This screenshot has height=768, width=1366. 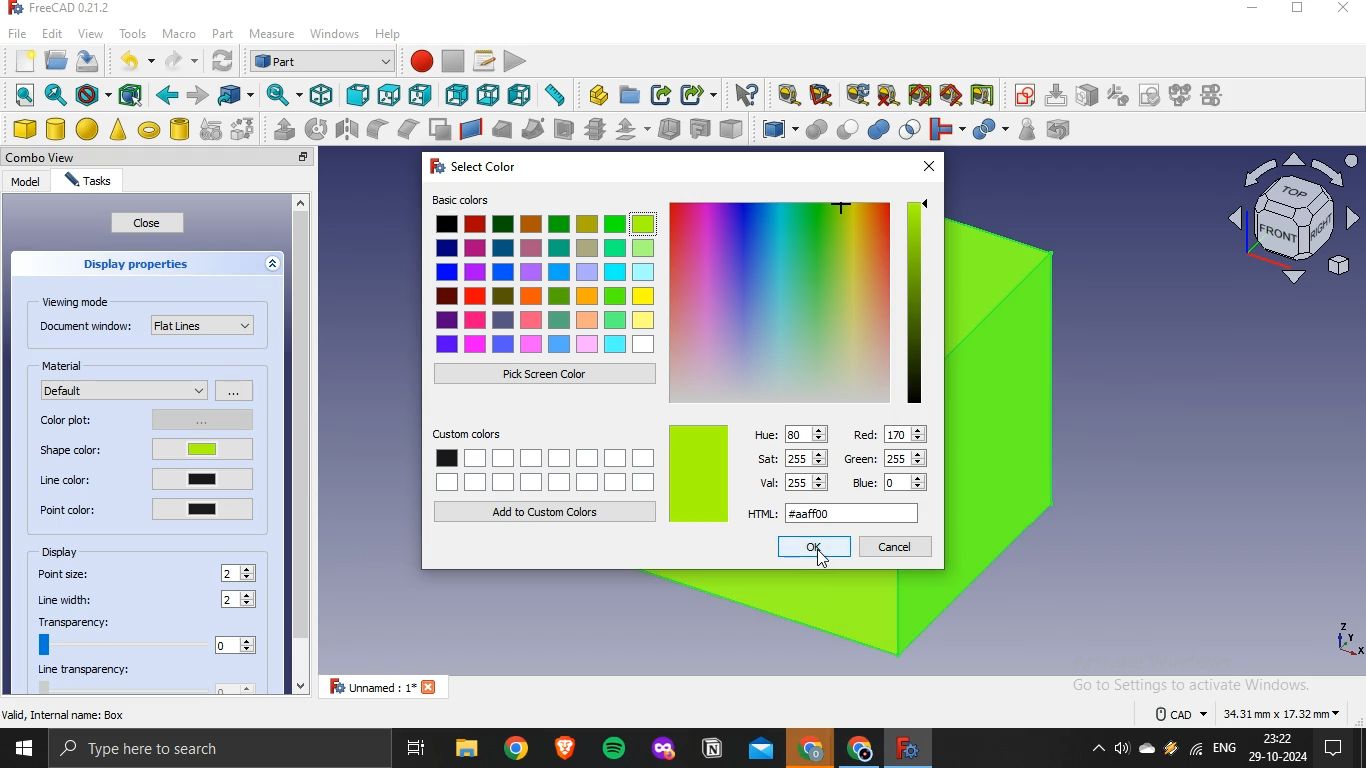 What do you see at coordinates (905, 748) in the screenshot?
I see `freecad` at bounding box center [905, 748].